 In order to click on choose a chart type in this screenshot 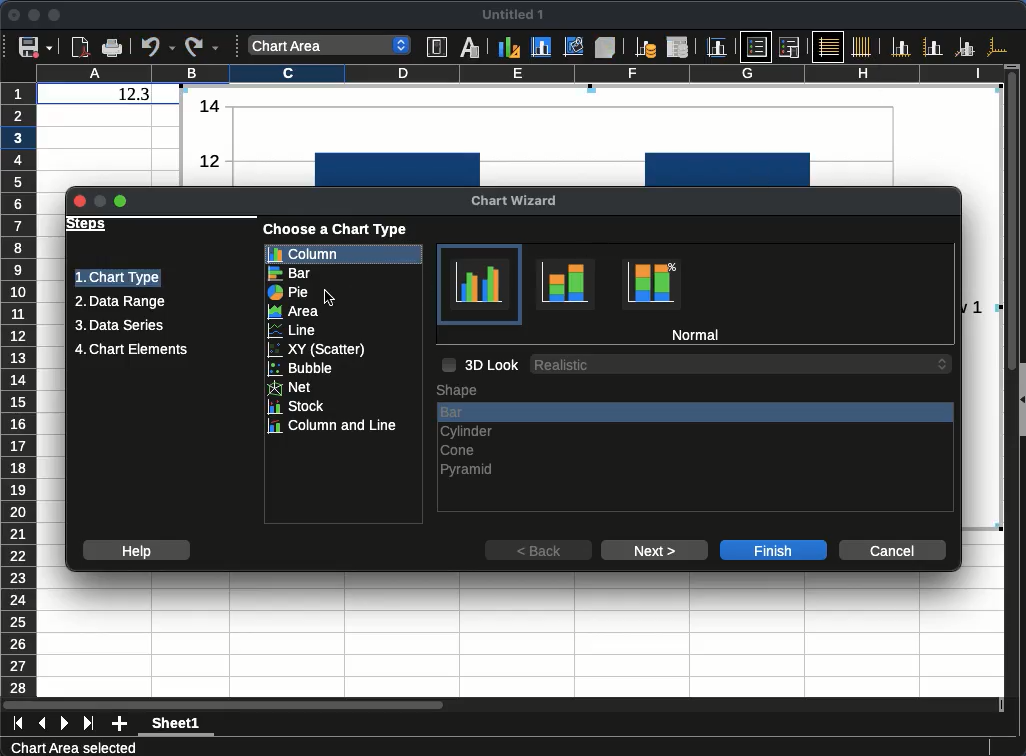, I will do `click(337, 230)`.